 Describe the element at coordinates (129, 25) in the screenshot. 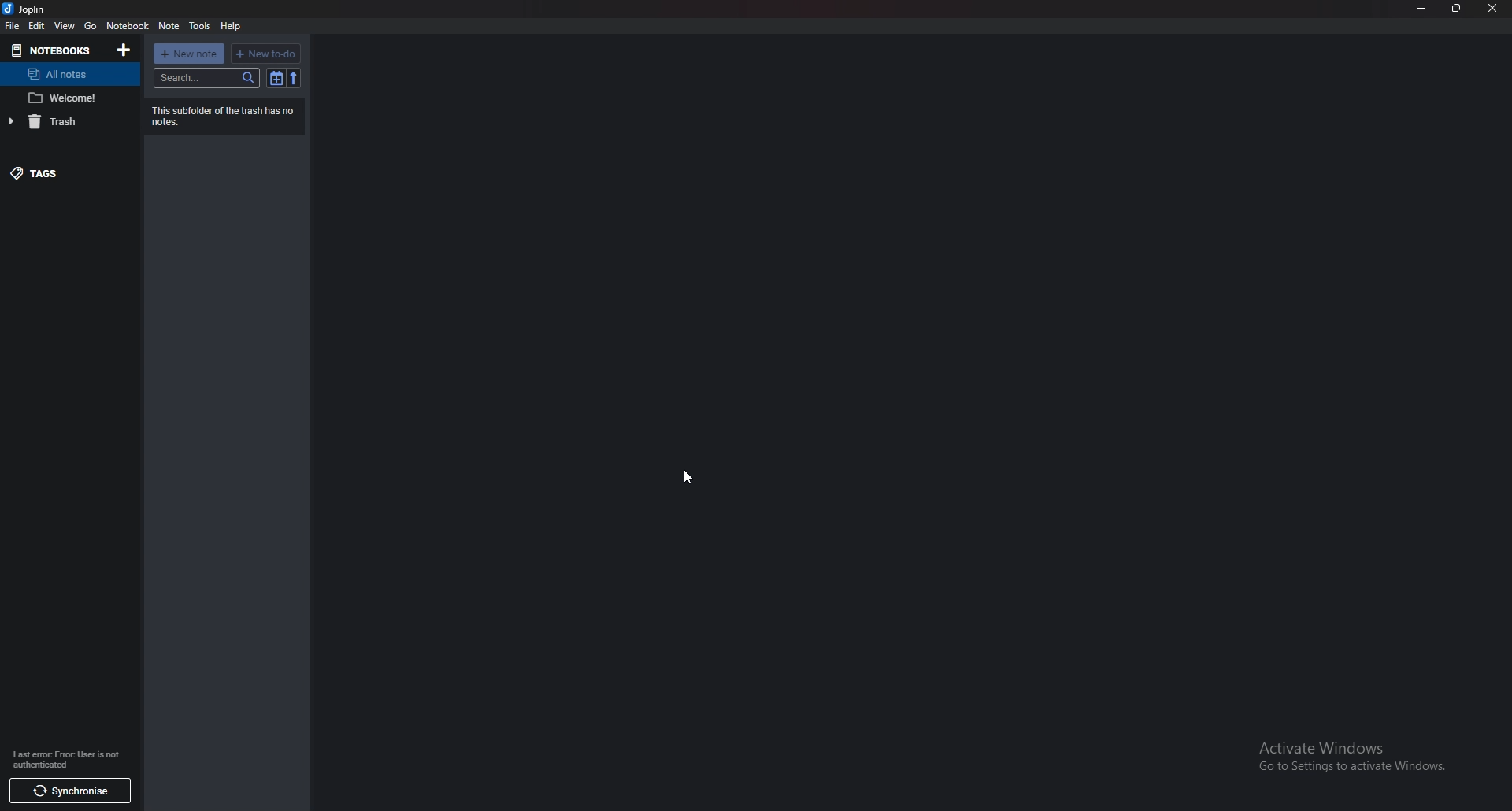

I see `notebooks` at that location.